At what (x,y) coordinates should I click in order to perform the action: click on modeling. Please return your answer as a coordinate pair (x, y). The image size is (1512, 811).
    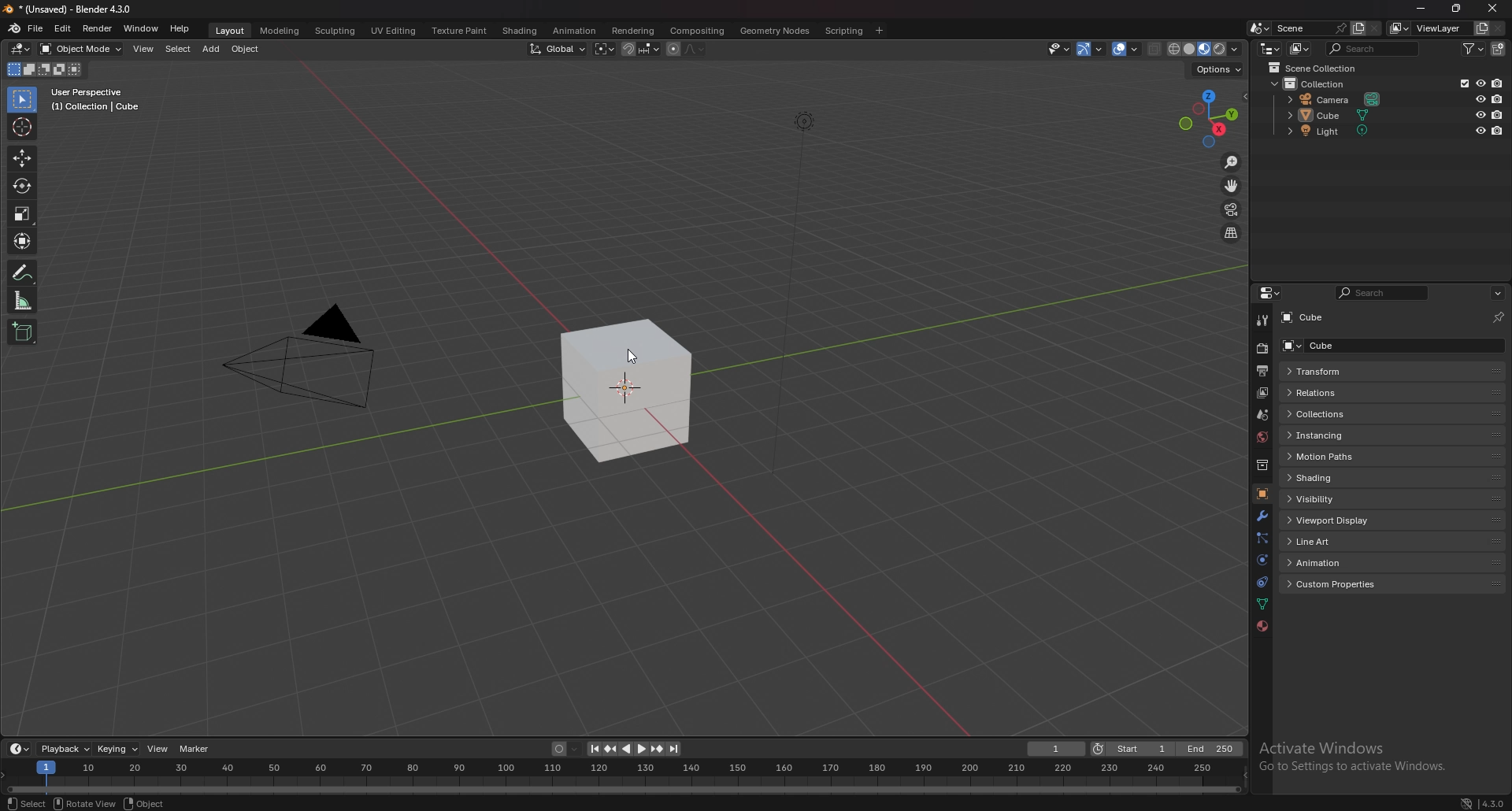
    Looking at the image, I should click on (280, 30).